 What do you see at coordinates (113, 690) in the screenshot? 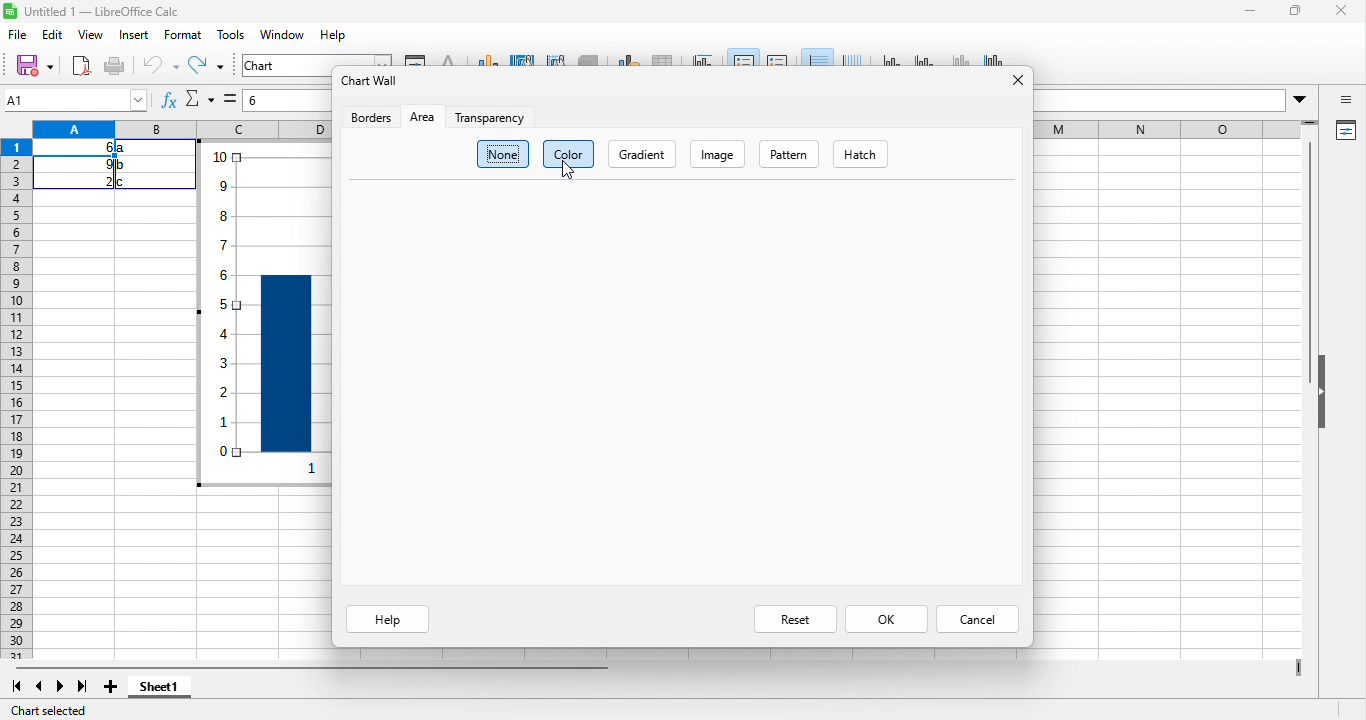
I see `new sheet` at bounding box center [113, 690].